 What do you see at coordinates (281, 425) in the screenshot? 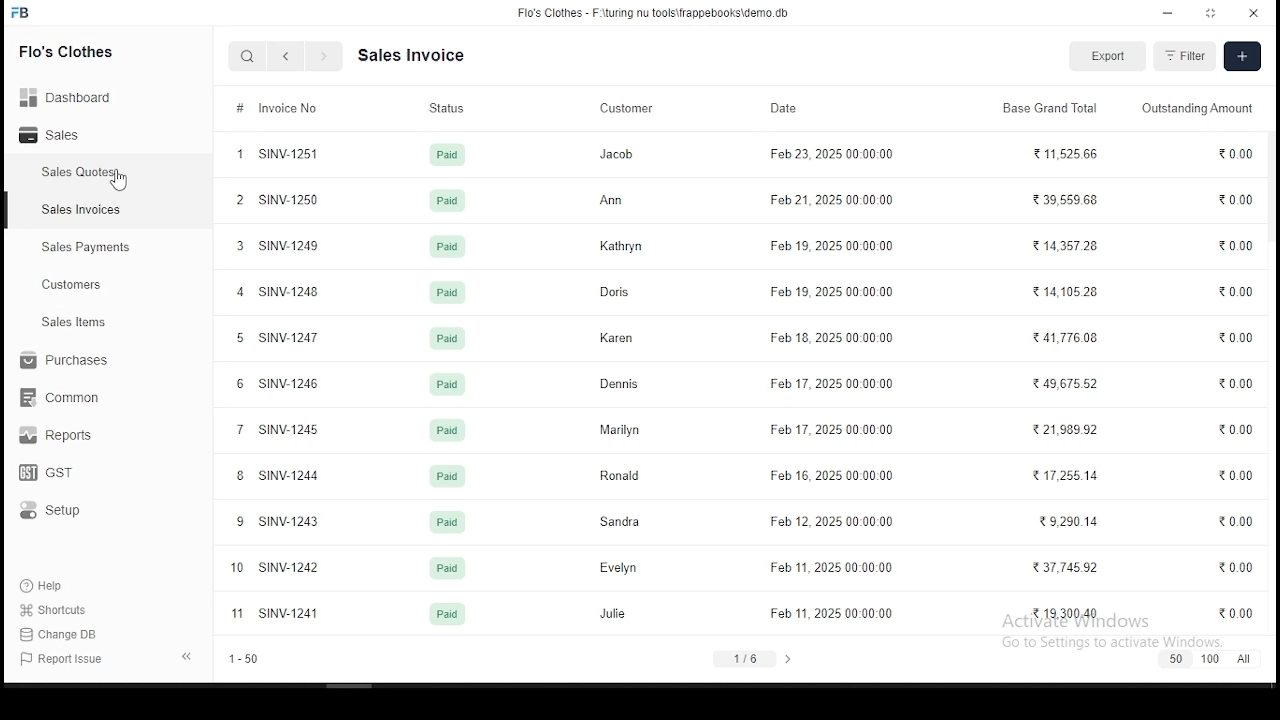
I see `7 SINV-1245` at bounding box center [281, 425].